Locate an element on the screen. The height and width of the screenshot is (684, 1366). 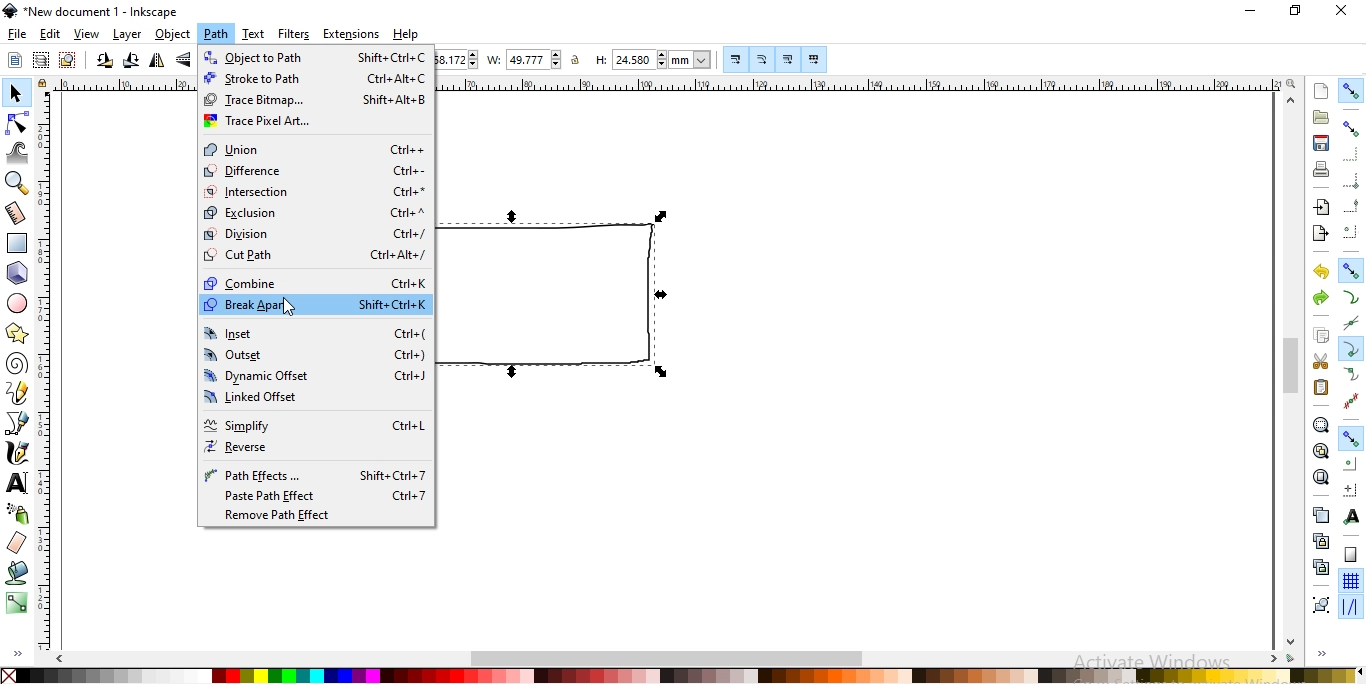
extensions is located at coordinates (351, 34).